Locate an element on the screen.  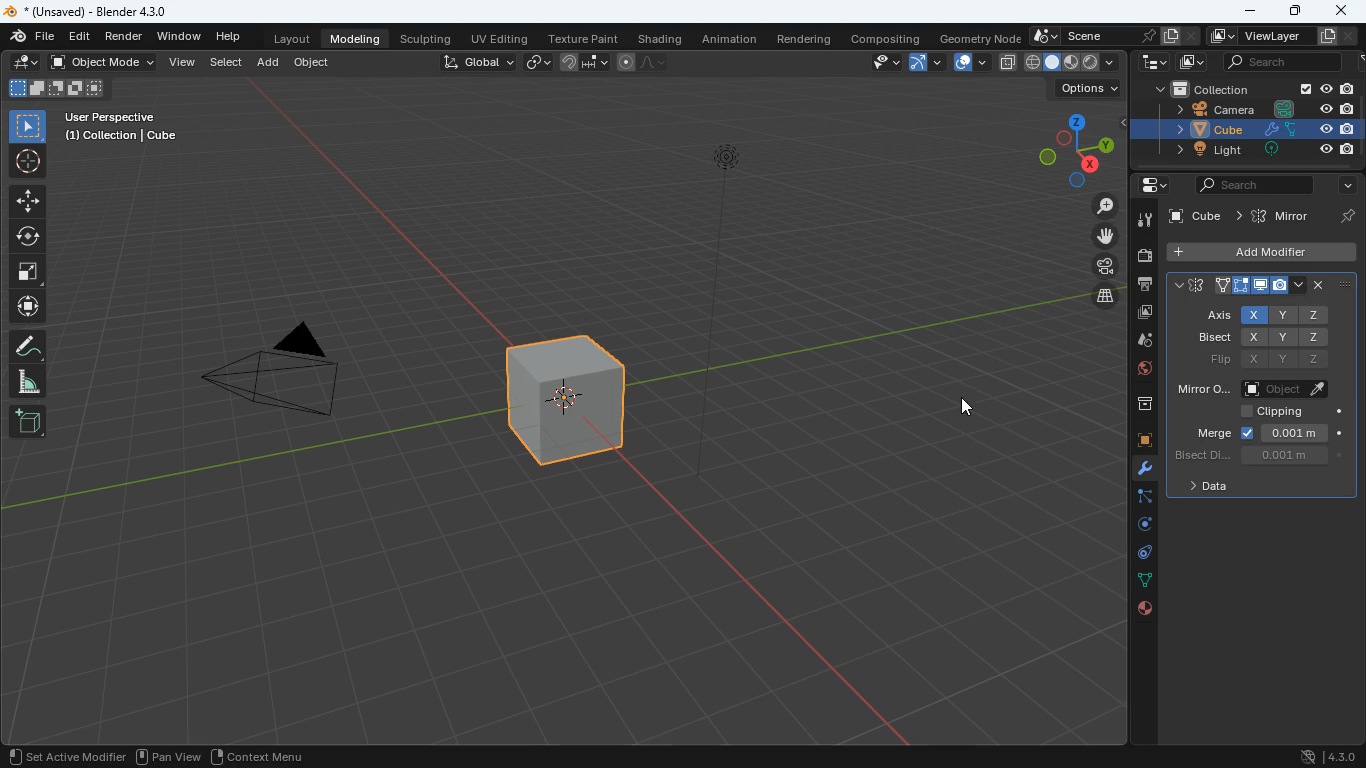
layout is located at coordinates (293, 37).